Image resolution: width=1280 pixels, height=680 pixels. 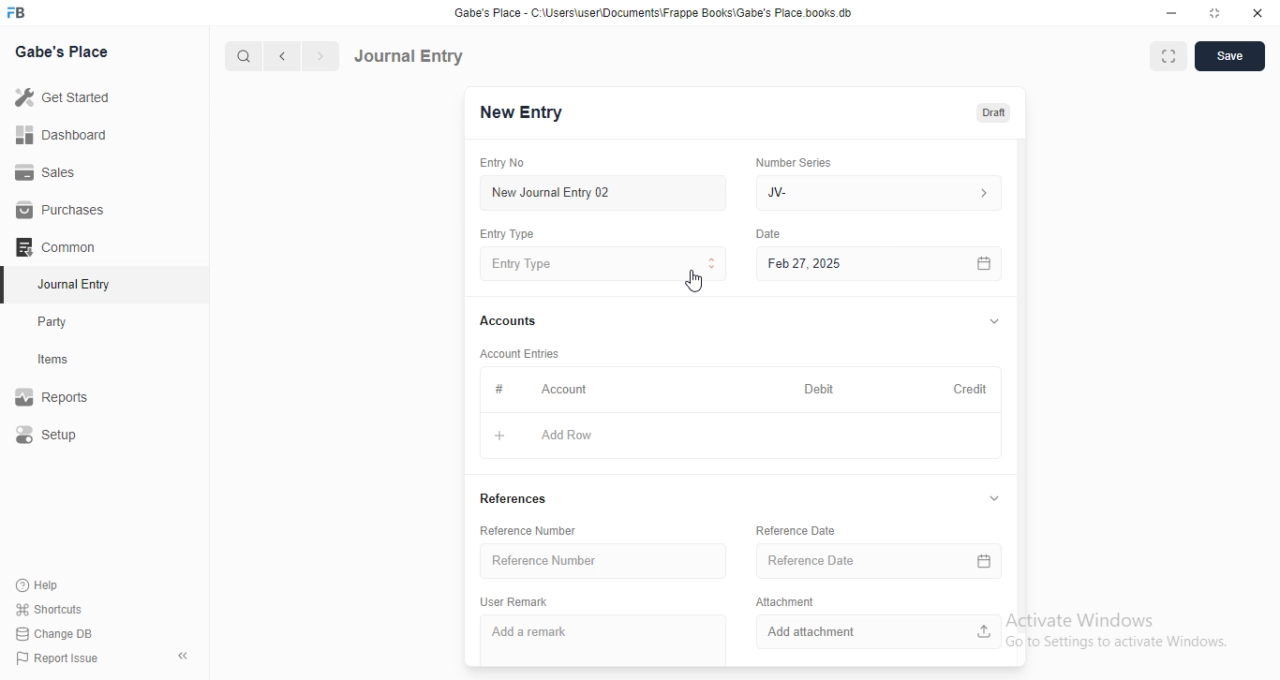 What do you see at coordinates (506, 434) in the screenshot?
I see `Add` at bounding box center [506, 434].